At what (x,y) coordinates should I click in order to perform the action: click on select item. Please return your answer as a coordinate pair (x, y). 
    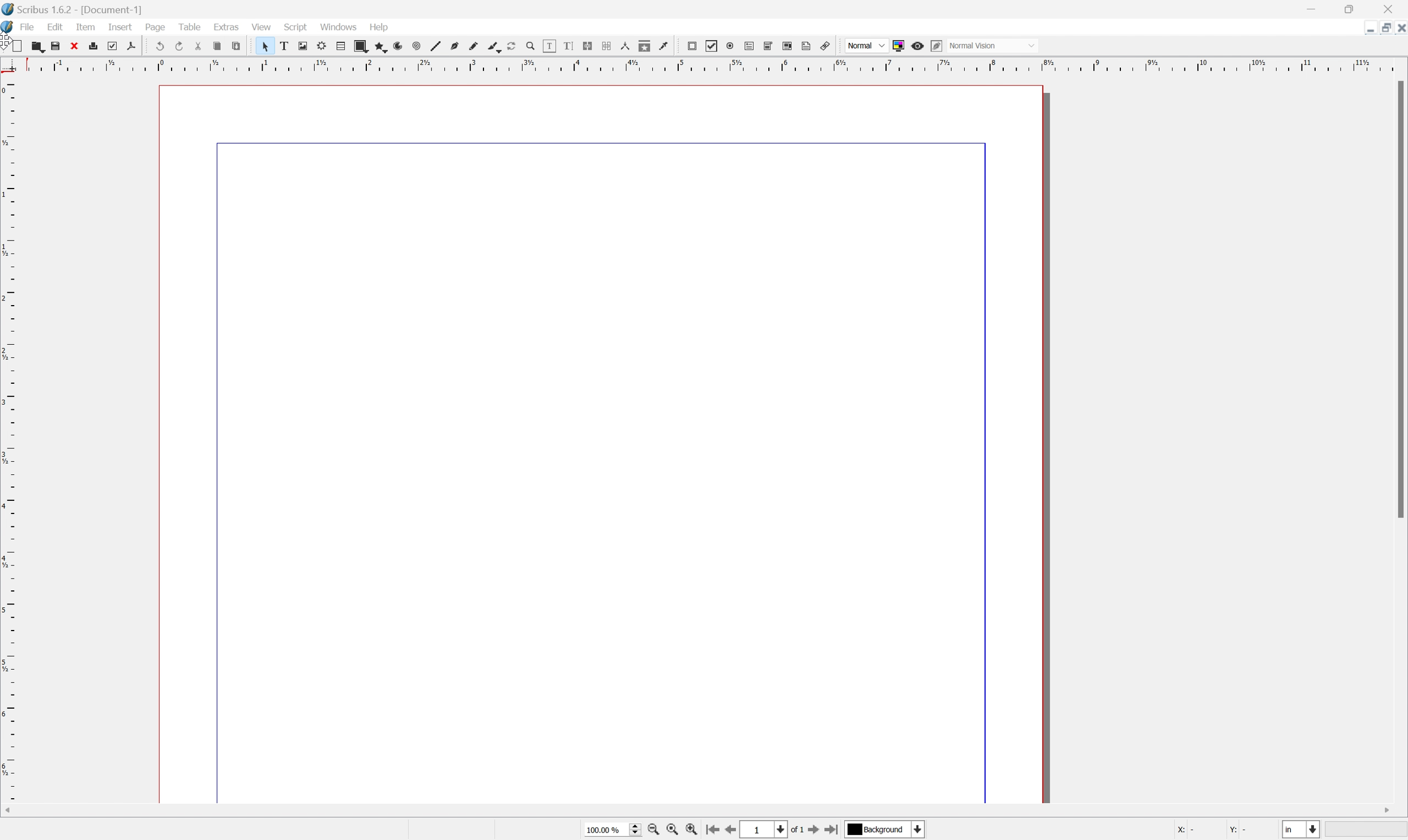
    Looking at the image, I should click on (264, 46).